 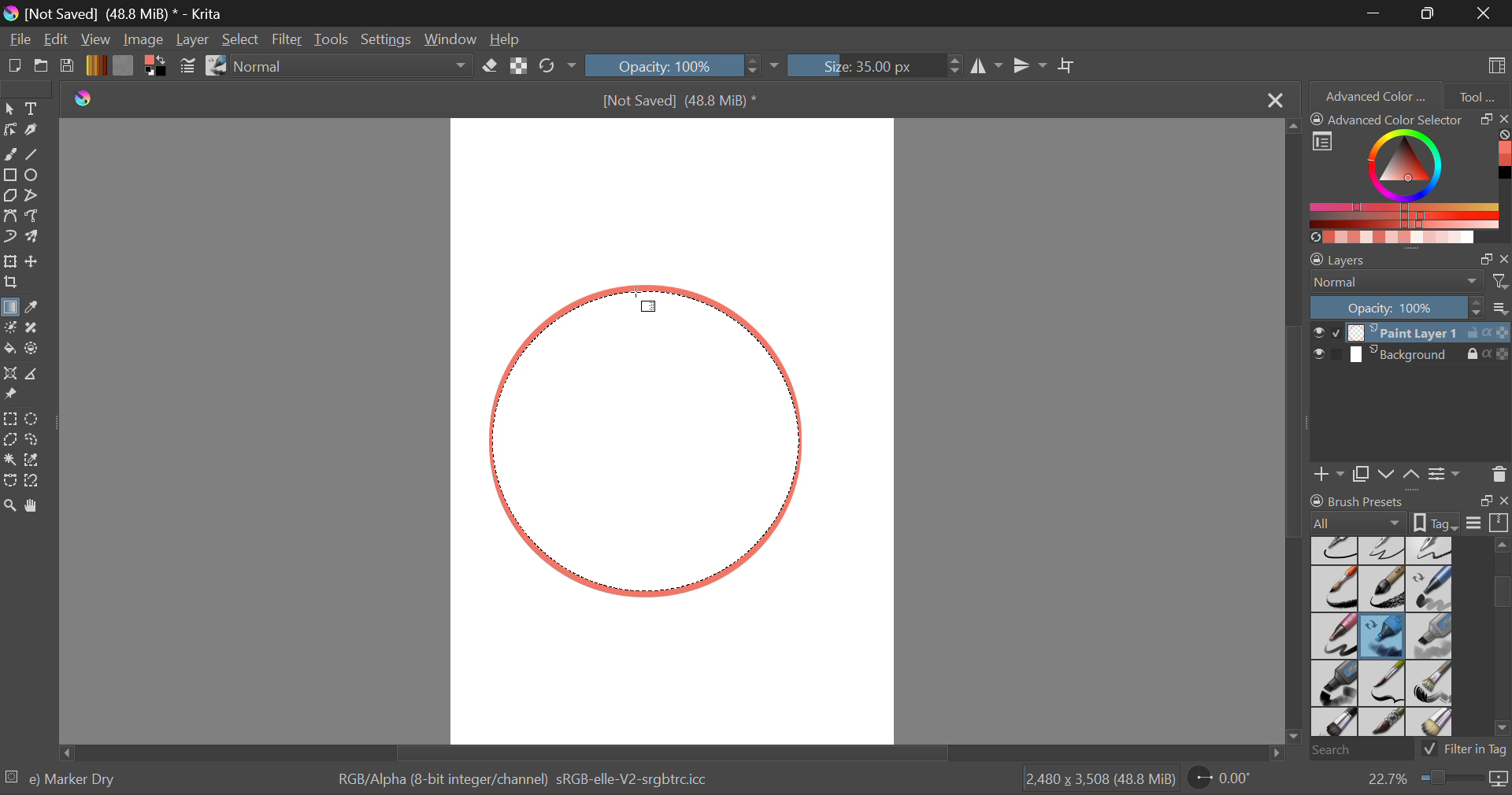 What do you see at coordinates (1431, 636) in the screenshot?
I see `Marker Medium` at bounding box center [1431, 636].